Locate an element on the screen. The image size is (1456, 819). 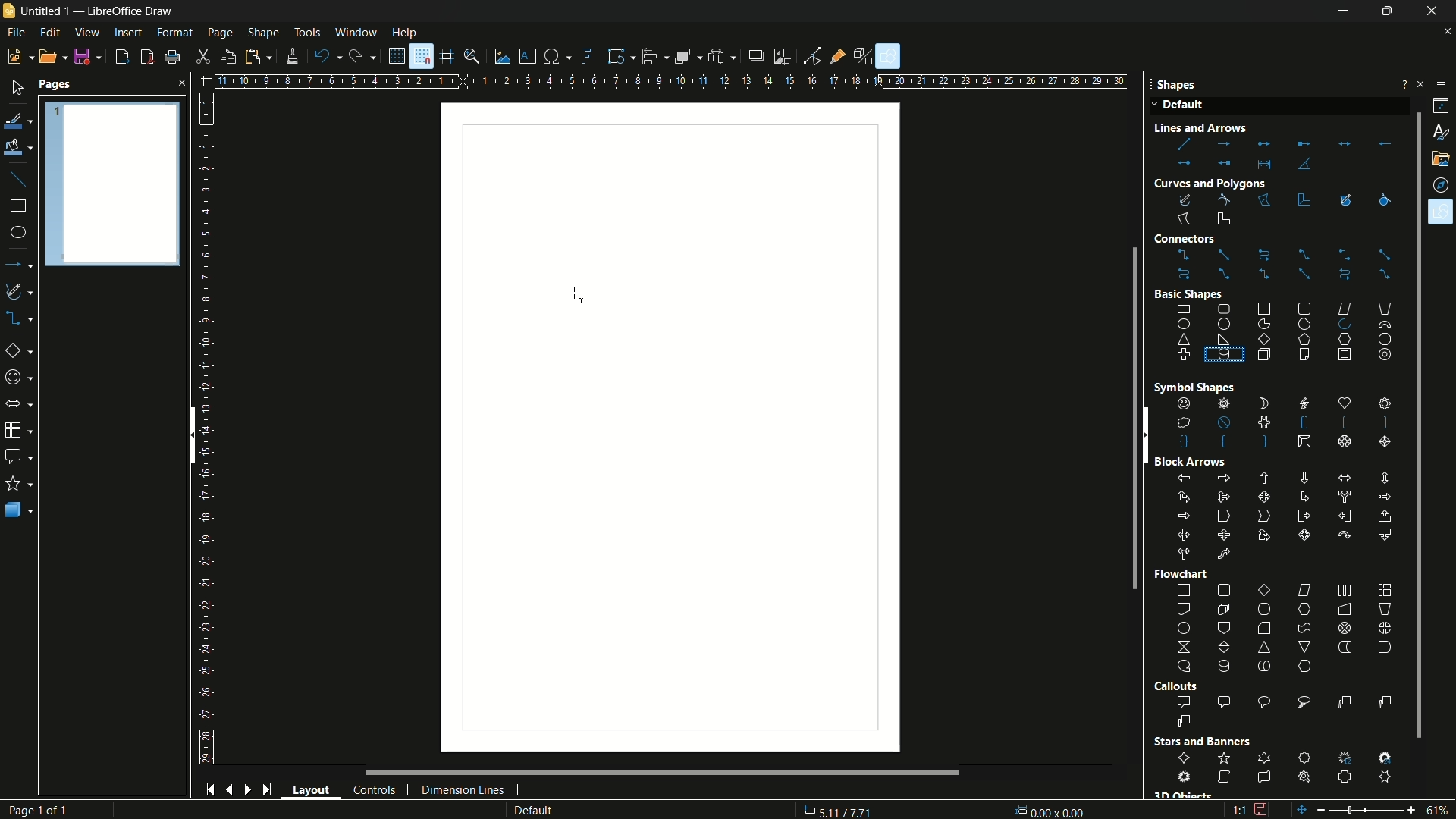
close app is located at coordinates (1436, 11).